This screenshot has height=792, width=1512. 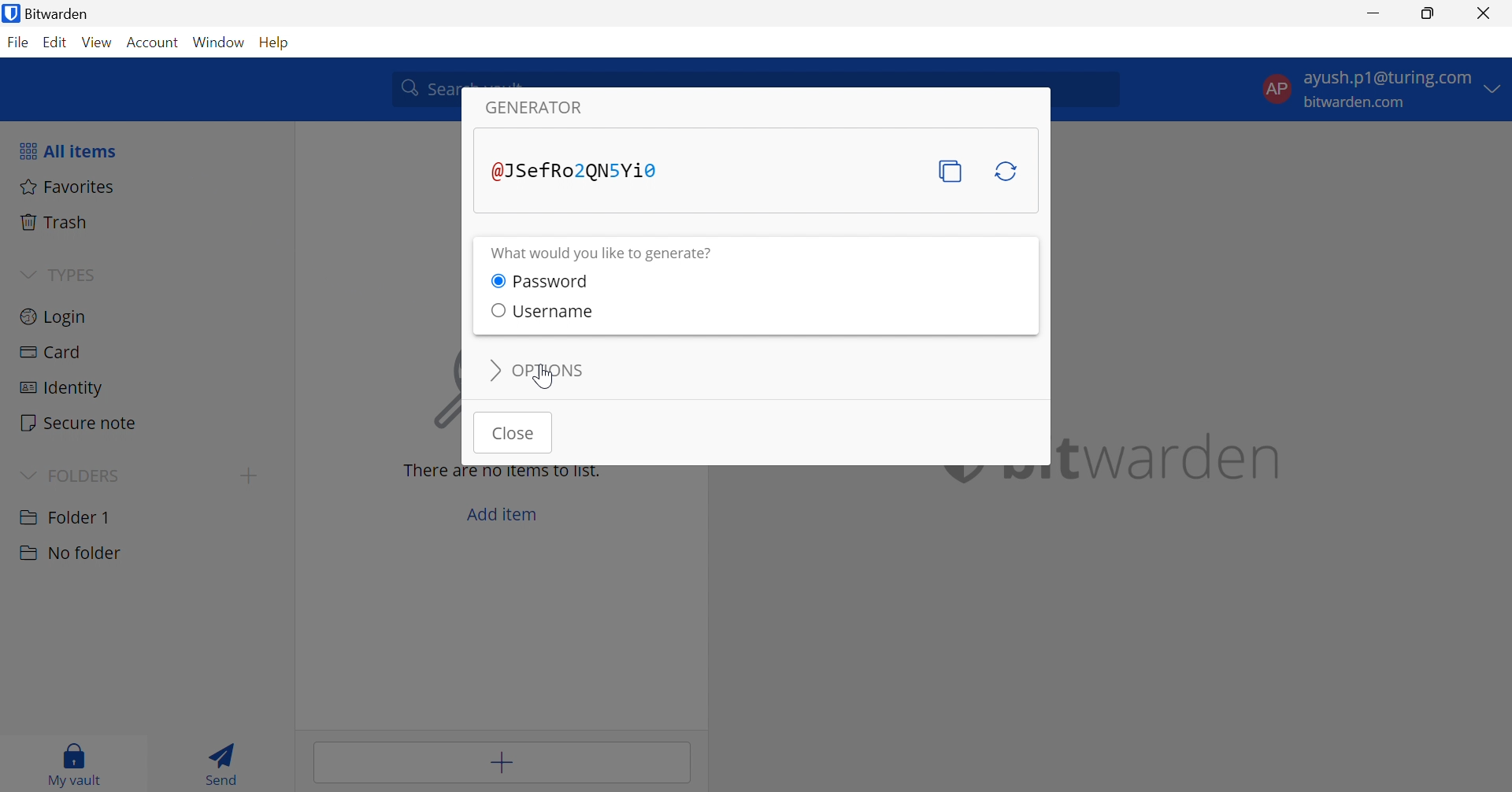 What do you see at coordinates (152, 43) in the screenshot?
I see `Account` at bounding box center [152, 43].